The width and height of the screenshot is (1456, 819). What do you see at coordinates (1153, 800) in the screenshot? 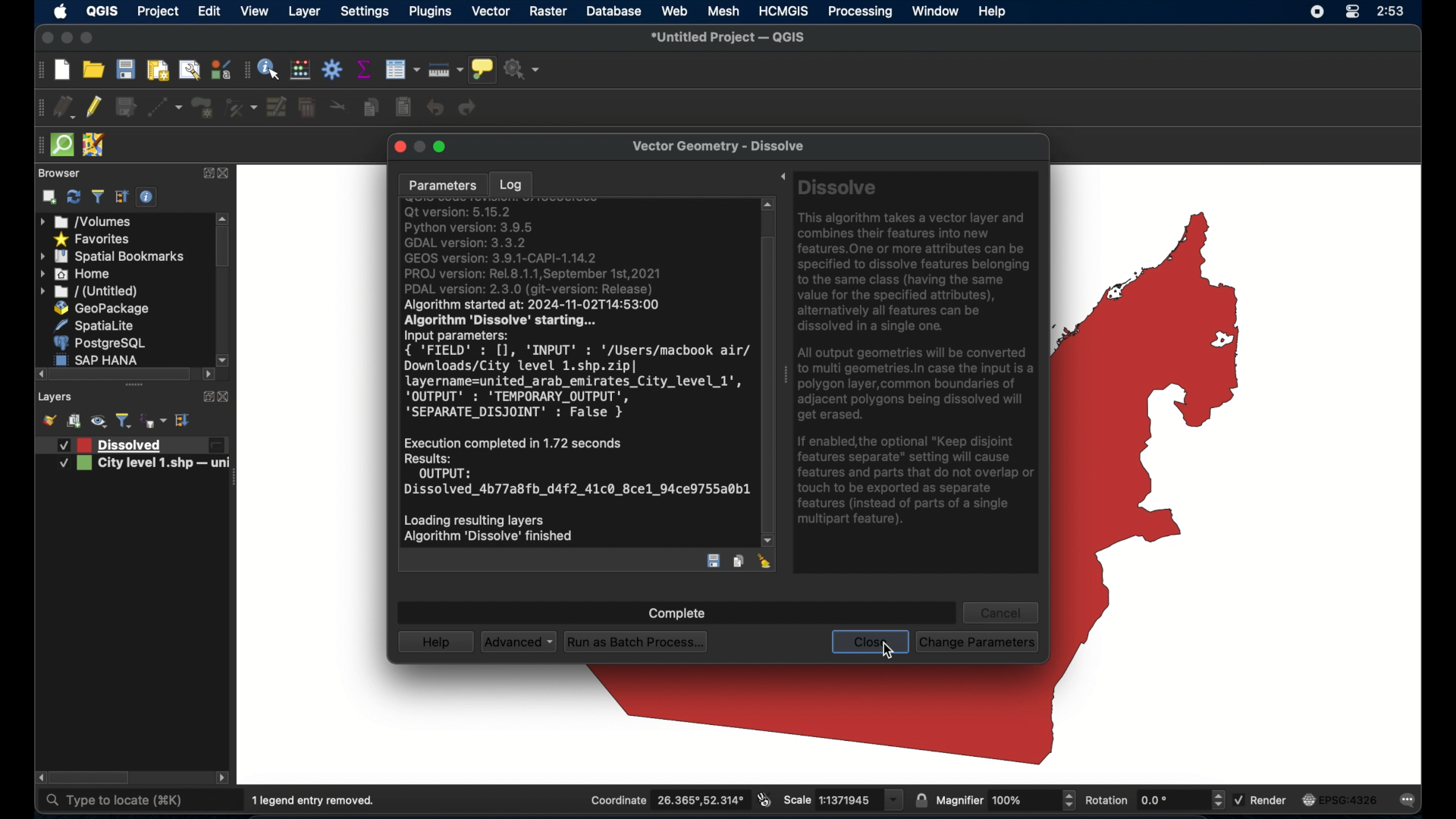
I see `rotation` at bounding box center [1153, 800].